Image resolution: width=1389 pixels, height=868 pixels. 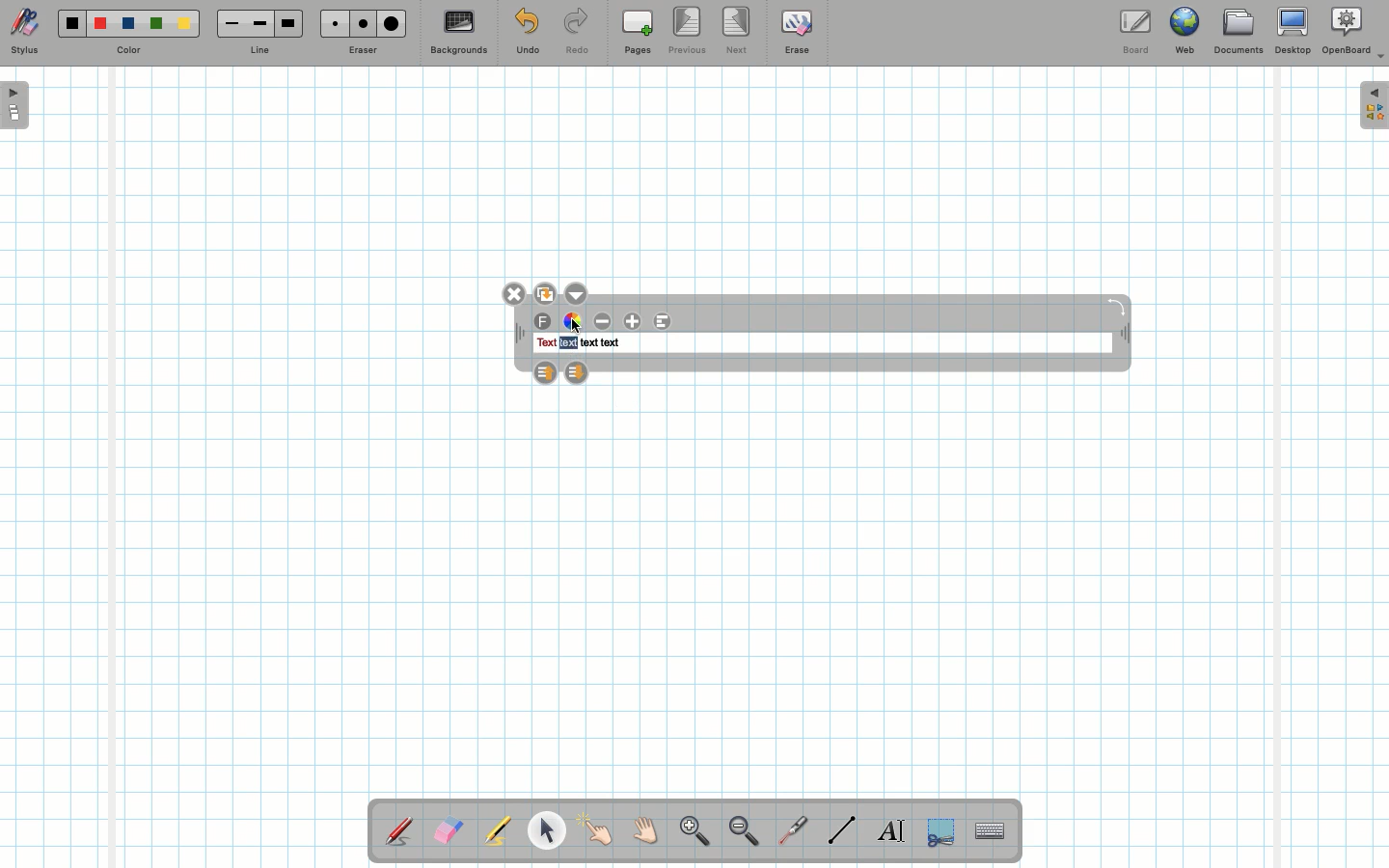 I want to click on Layer up, so click(x=543, y=371).